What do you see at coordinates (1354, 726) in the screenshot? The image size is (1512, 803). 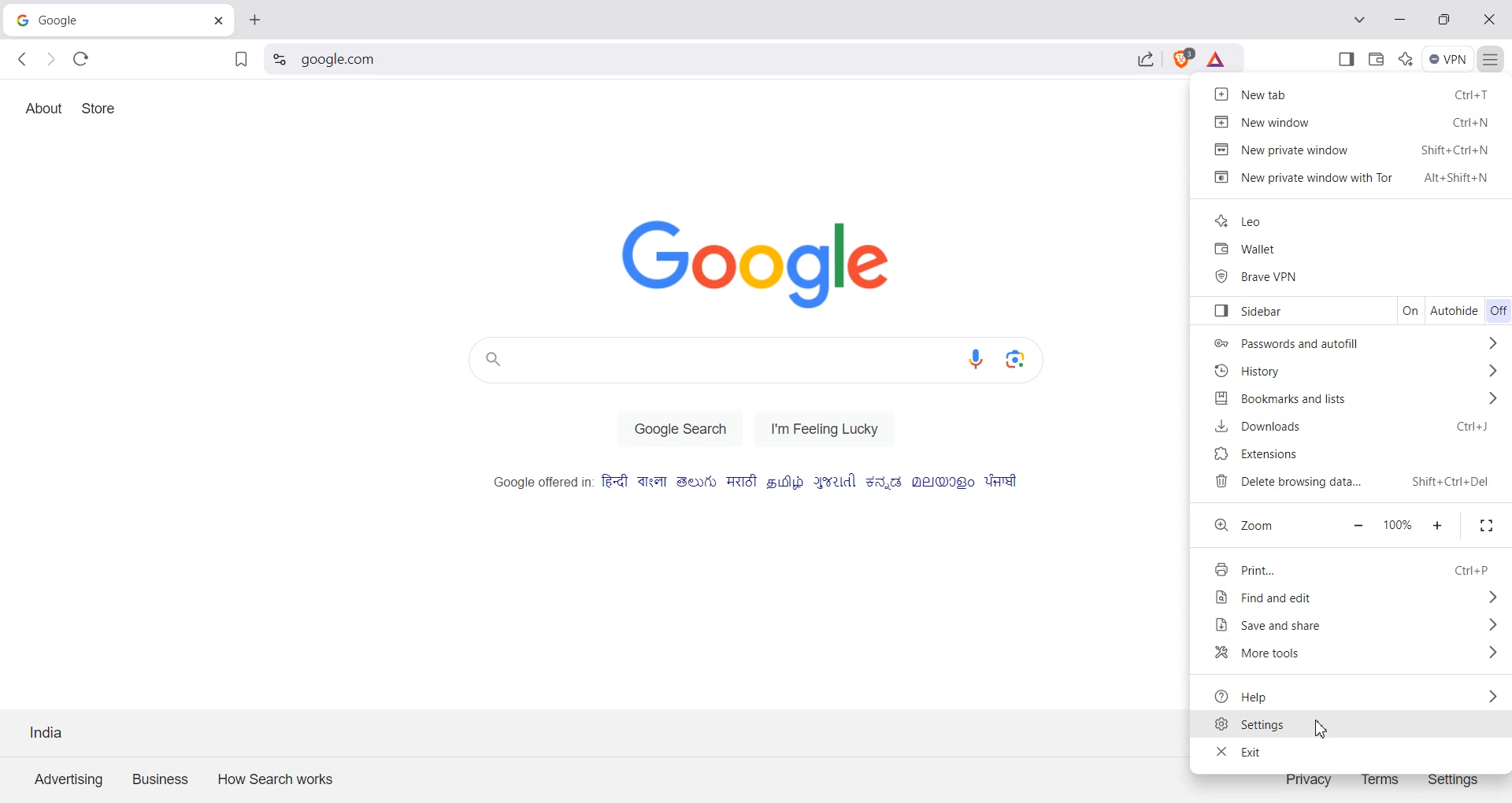 I see `Settings` at bounding box center [1354, 726].